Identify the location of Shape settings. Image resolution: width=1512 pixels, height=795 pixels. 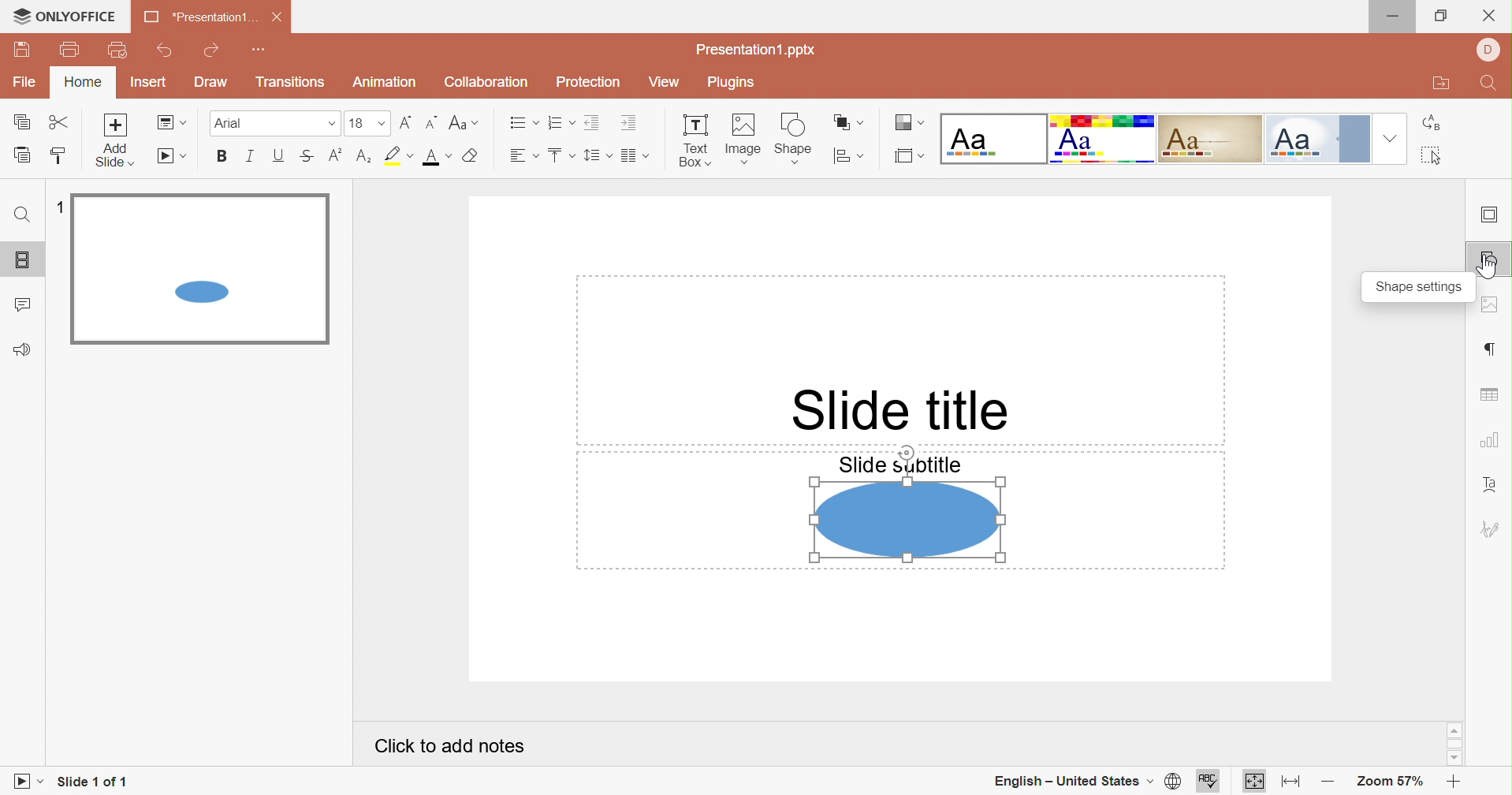
(1487, 262).